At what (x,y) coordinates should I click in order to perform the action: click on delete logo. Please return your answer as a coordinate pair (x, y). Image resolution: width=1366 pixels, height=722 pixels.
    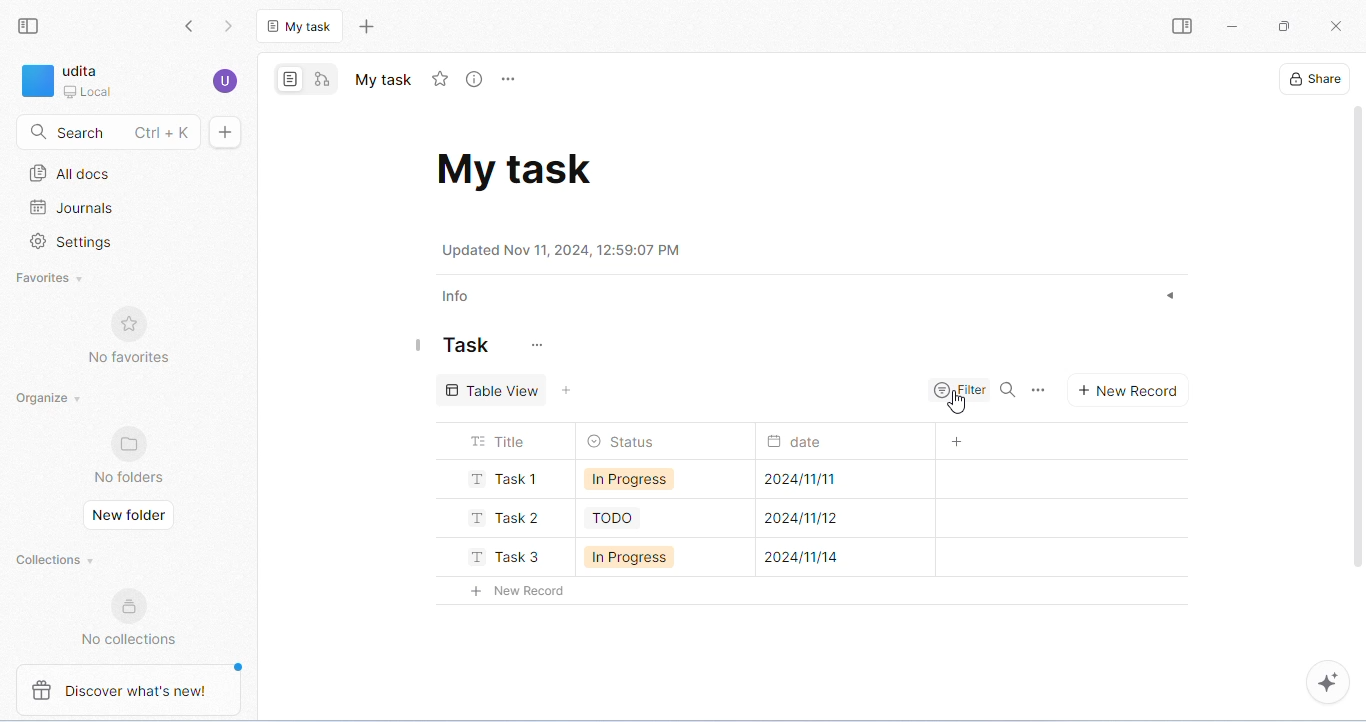
    Looking at the image, I should click on (33, 690).